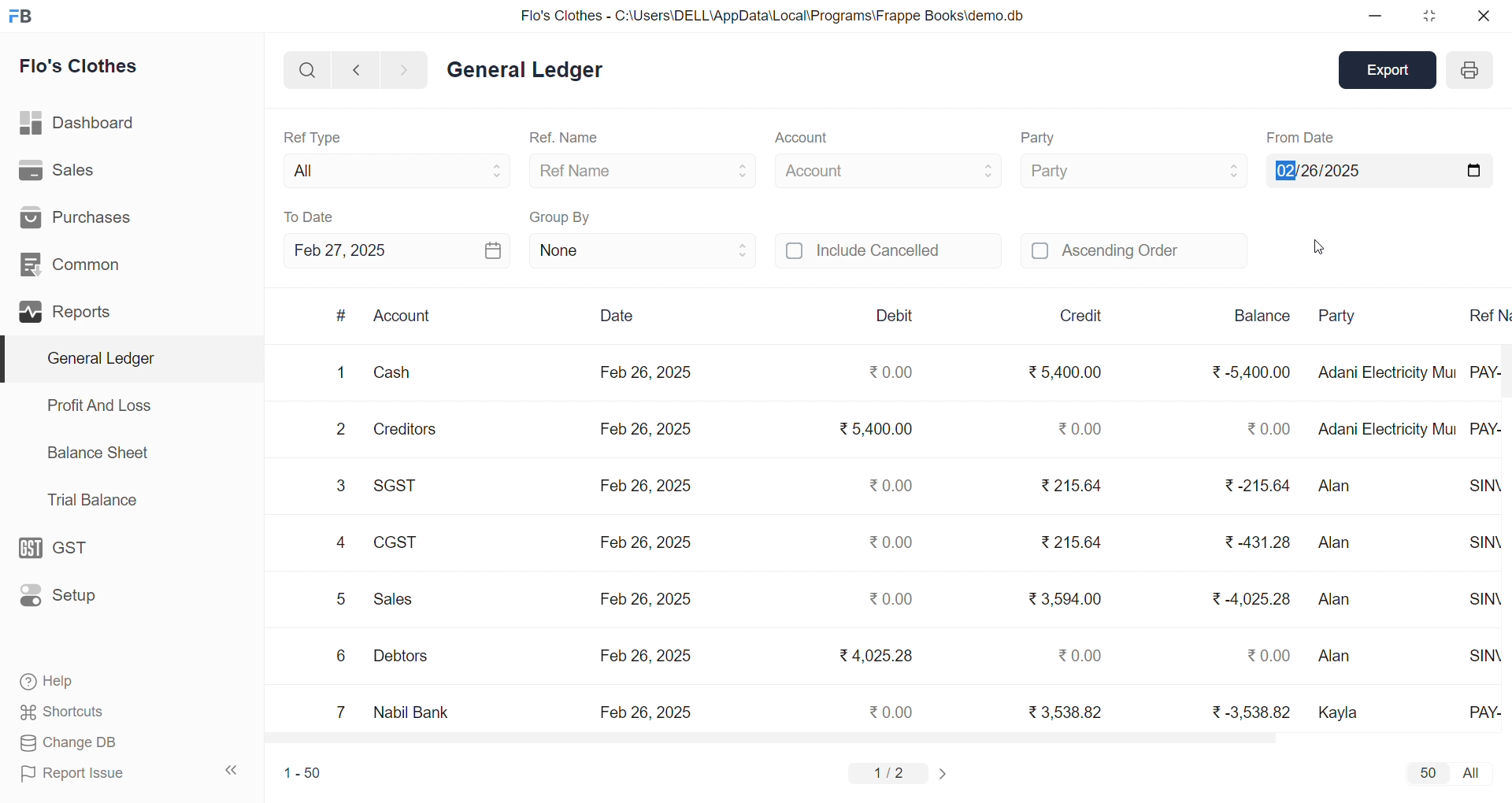 The image size is (1512, 803). I want to click on Account, so click(800, 139).